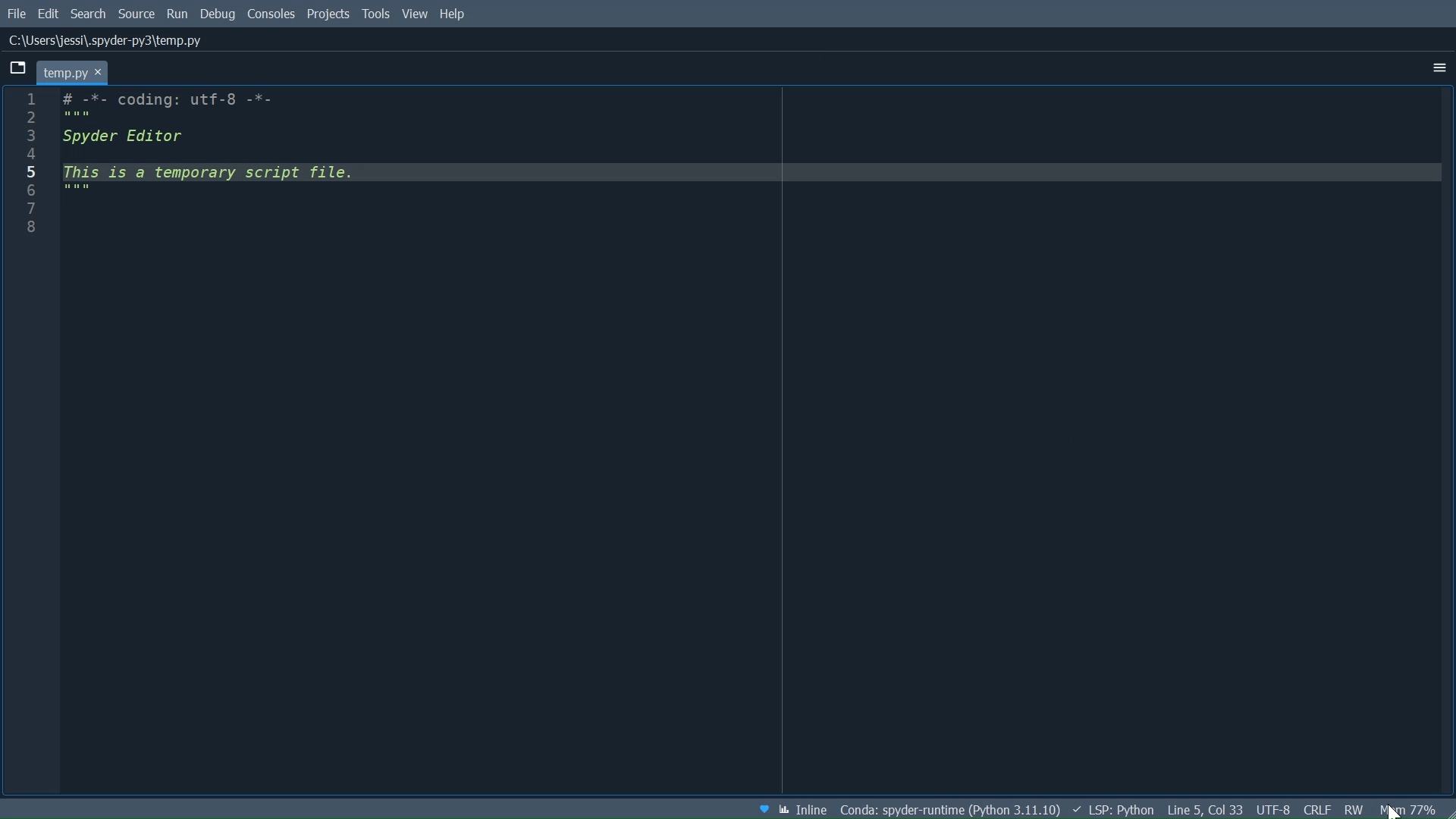  I want to click on # -*- coding: utf-8 -*- """ Spyder Editor  This is a temporary script file. """, so click(752, 444).